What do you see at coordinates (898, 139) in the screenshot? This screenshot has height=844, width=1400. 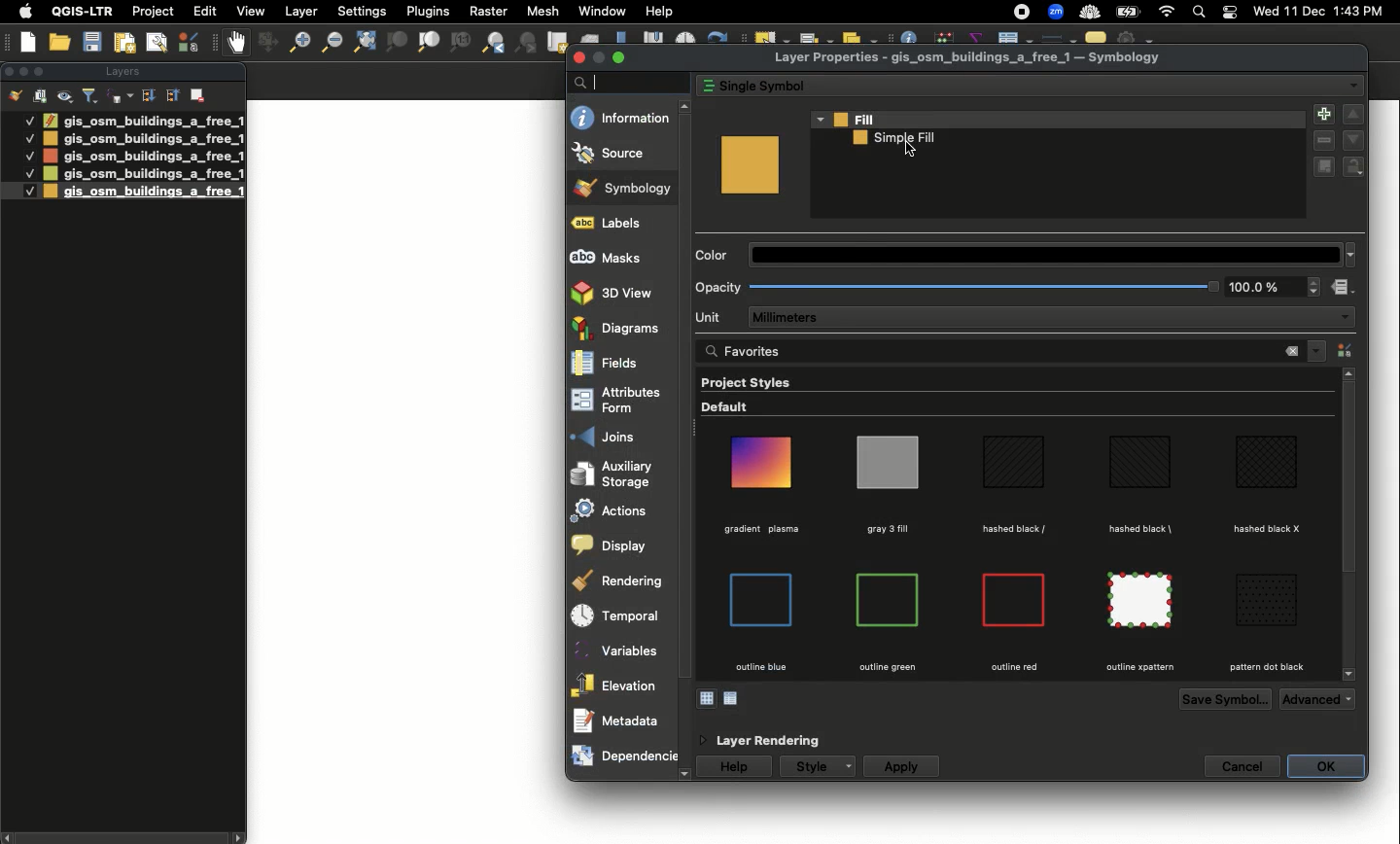 I see `Simple fill` at bounding box center [898, 139].